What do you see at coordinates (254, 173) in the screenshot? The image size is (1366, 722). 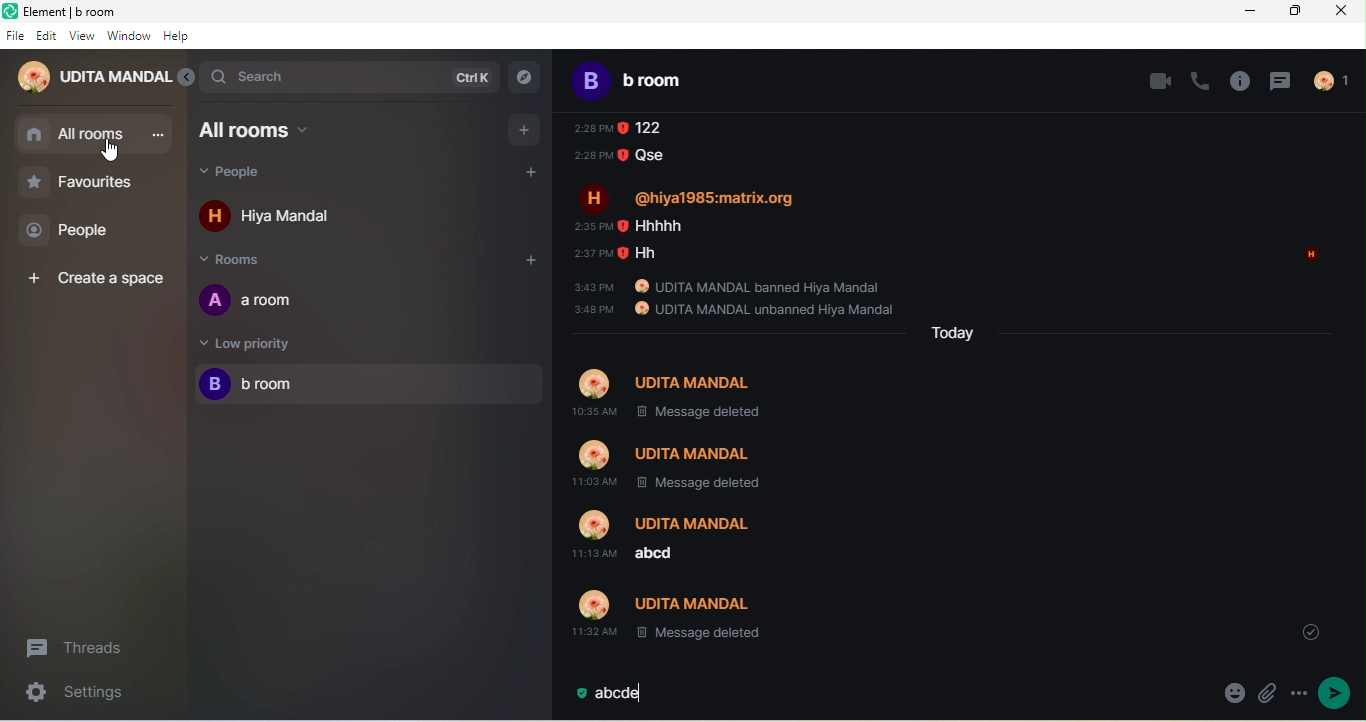 I see `people` at bounding box center [254, 173].